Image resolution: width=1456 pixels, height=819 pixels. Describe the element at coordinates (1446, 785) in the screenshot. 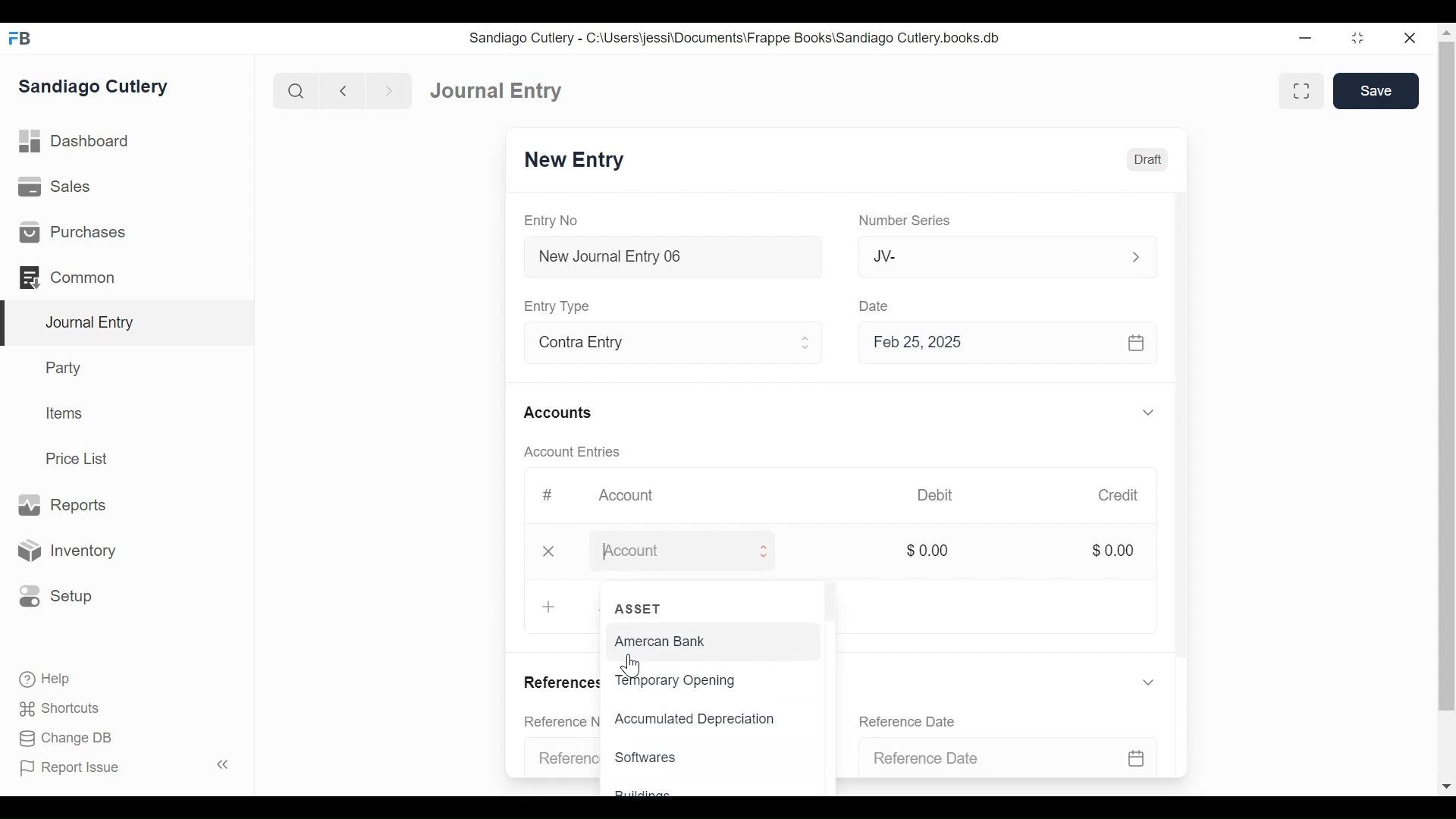

I see `Scroll down` at that location.